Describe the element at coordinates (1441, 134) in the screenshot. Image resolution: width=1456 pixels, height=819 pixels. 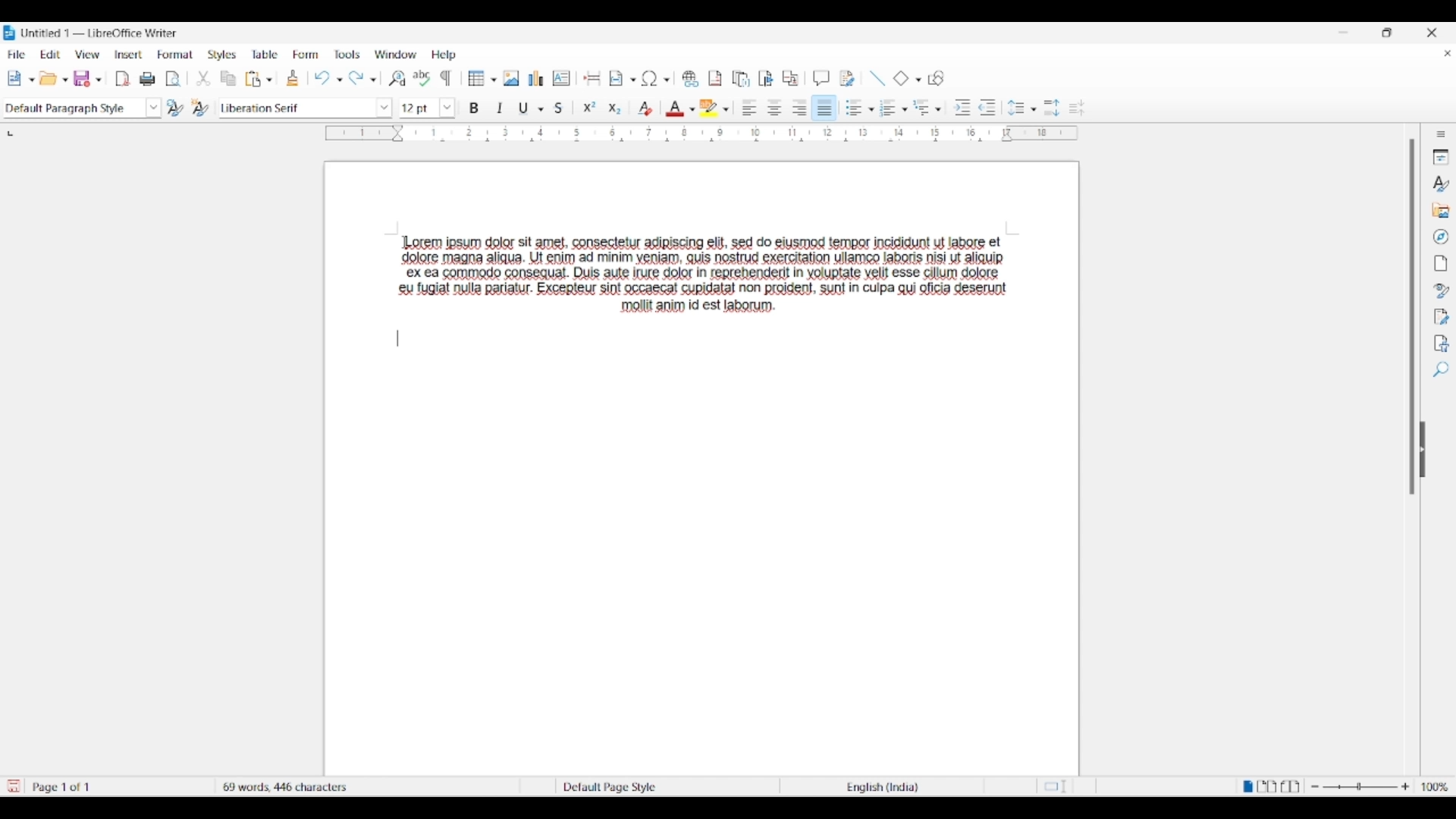
I see `Sidebar settings` at that location.